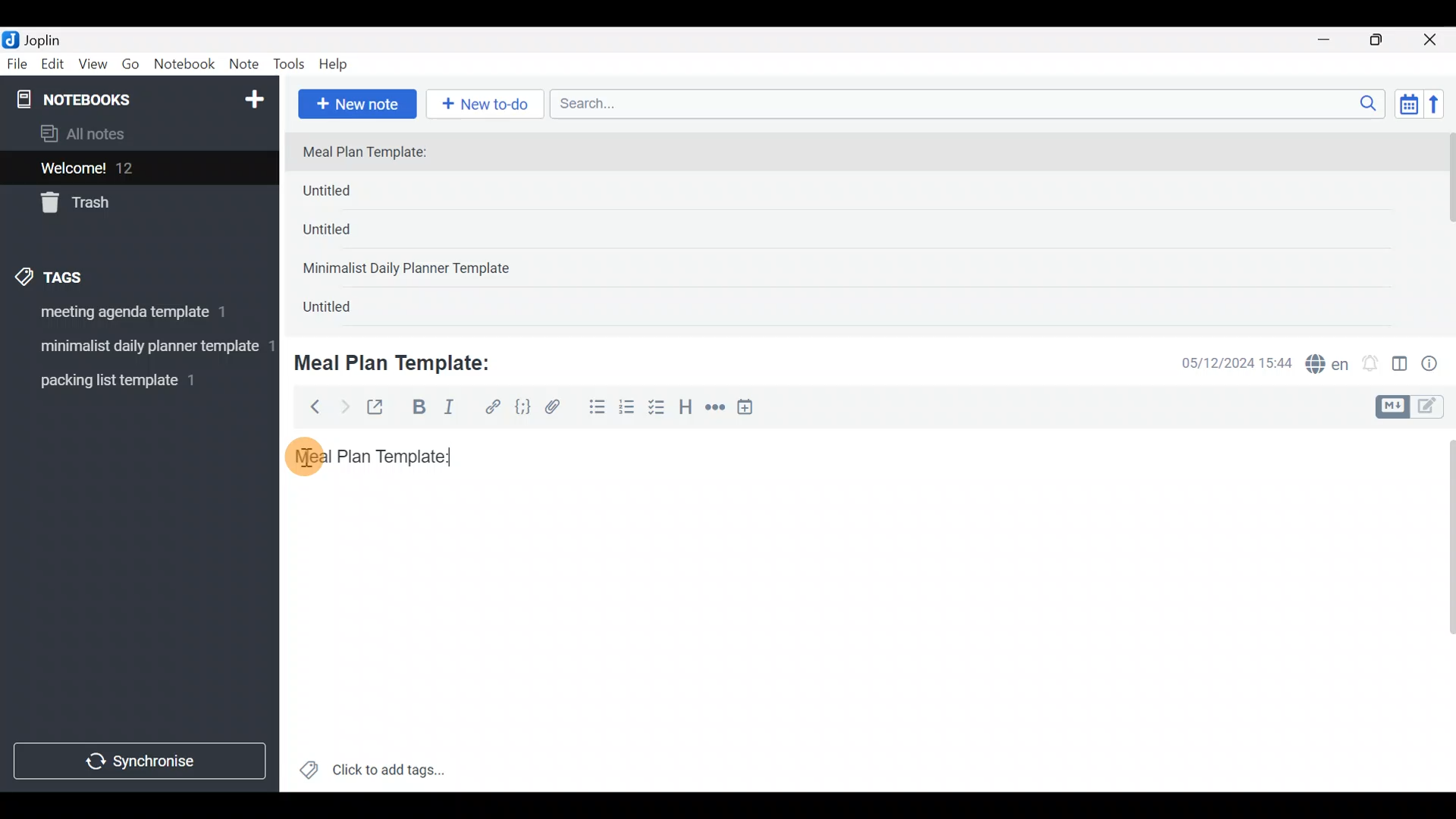 Image resolution: width=1456 pixels, height=819 pixels. Describe the element at coordinates (185, 64) in the screenshot. I see `Notebook` at that location.